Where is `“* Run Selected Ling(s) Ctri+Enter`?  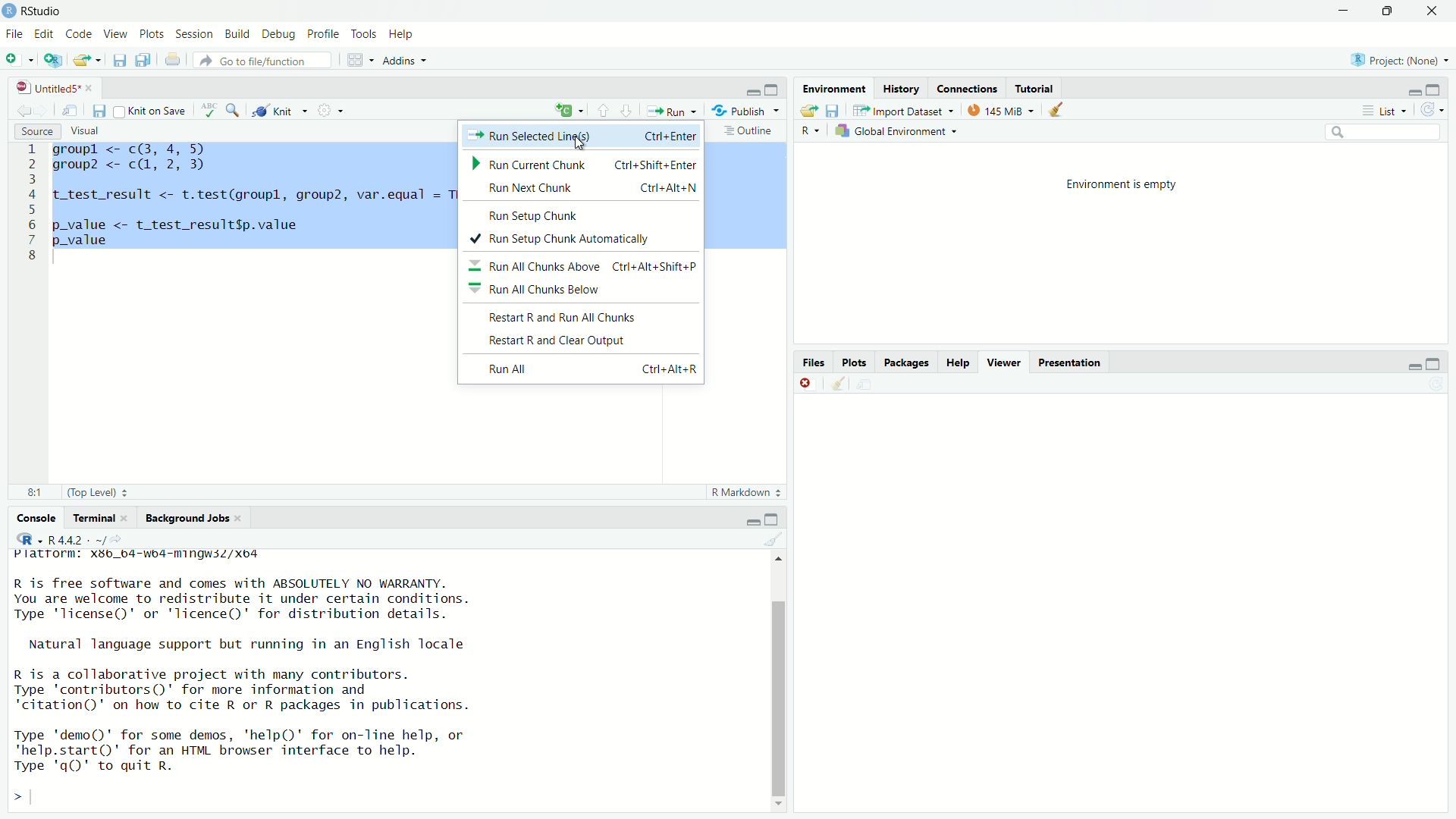
“* Run Selected Ling(s) Ctri+Enter is located at coordinates (581, 135).